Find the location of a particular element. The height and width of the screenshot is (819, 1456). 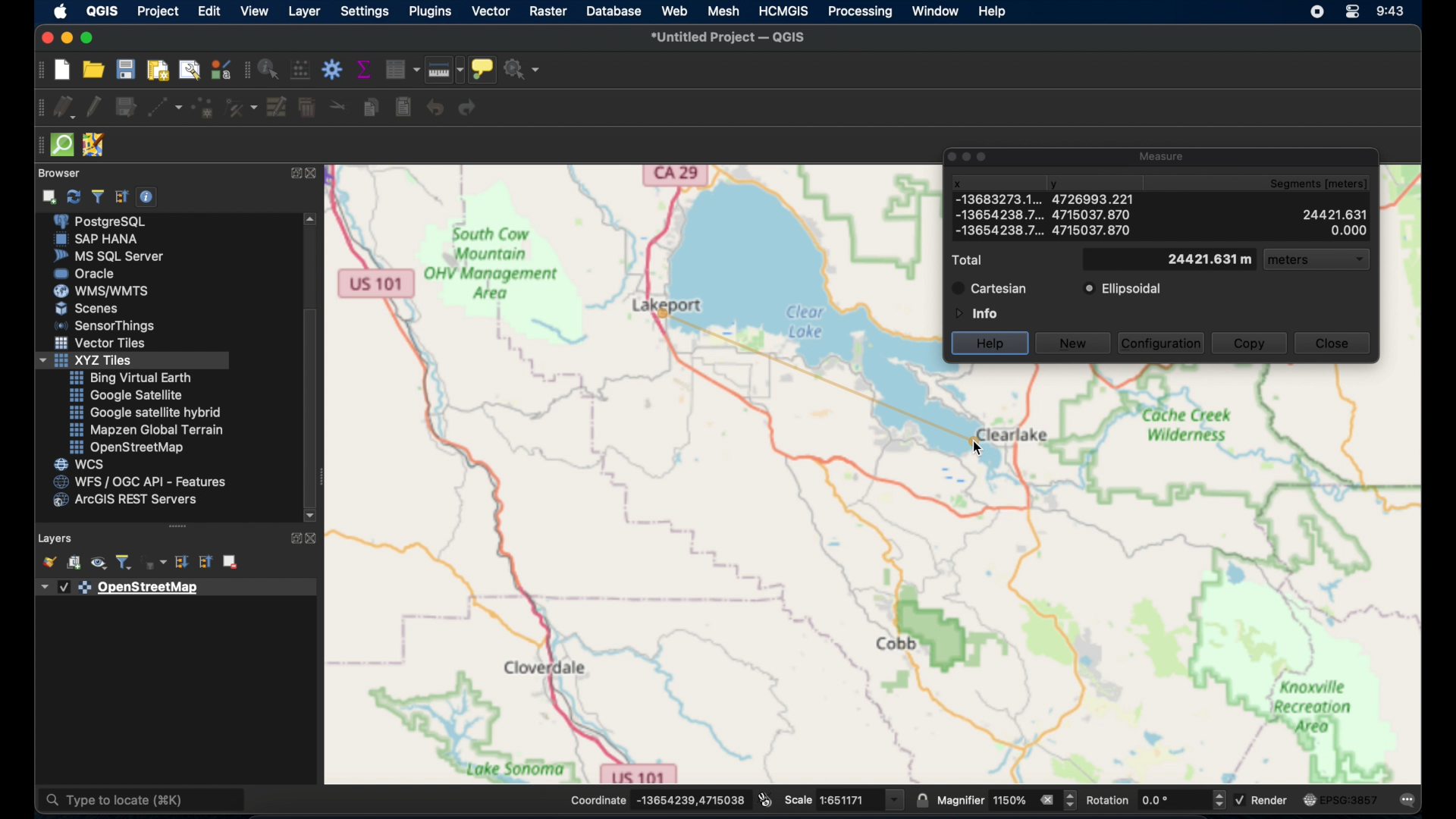

info radio button is located at coordinates (974, 312).